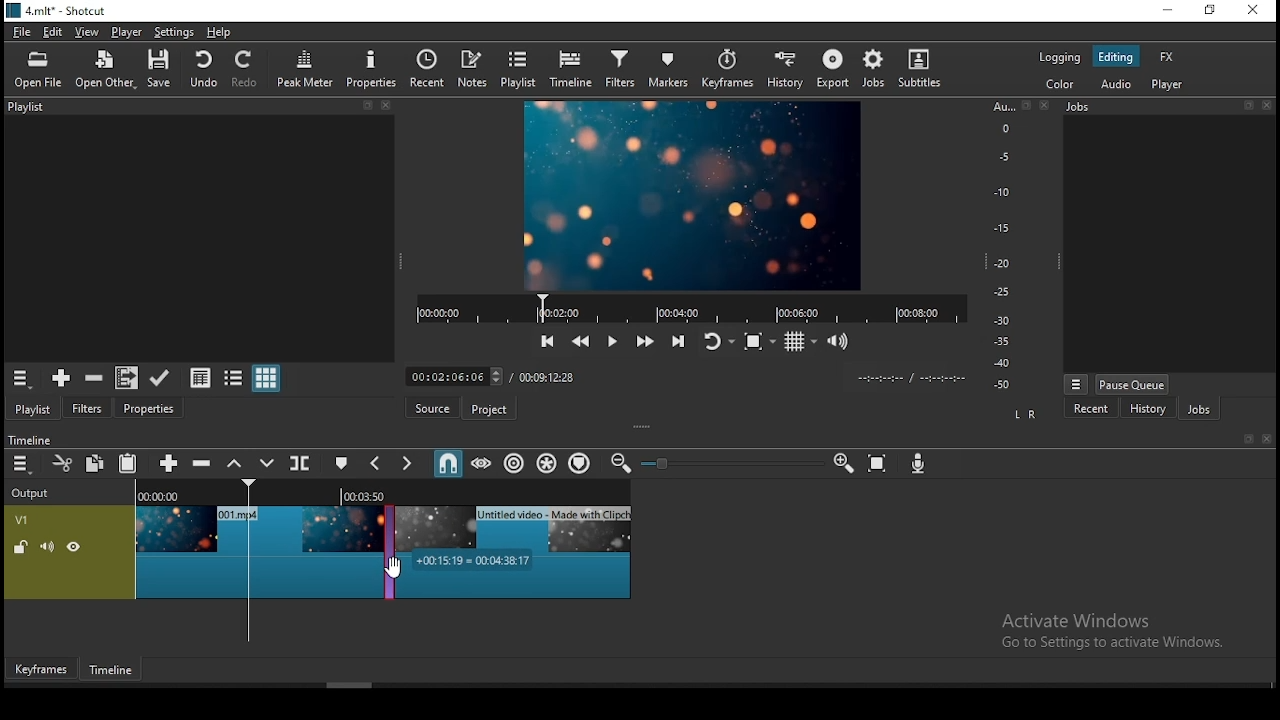 The image size is (1280, 720). What do you see at coordinates (918, 464) in the screenshot?
I see `record audio` at bounding box center [918, 464].